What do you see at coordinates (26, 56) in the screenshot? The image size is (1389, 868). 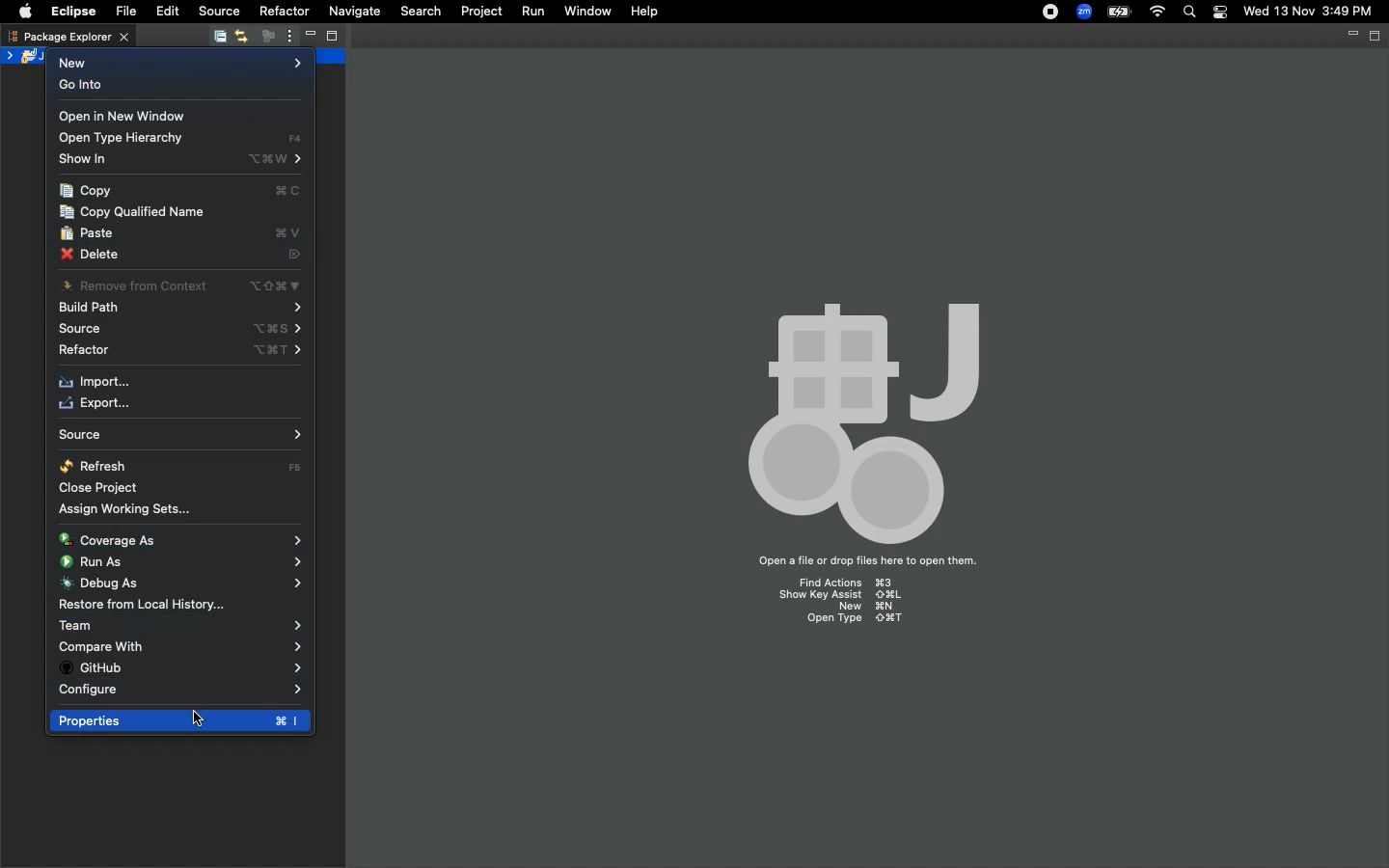 I see `Java project` at bounding box center [26, 56].